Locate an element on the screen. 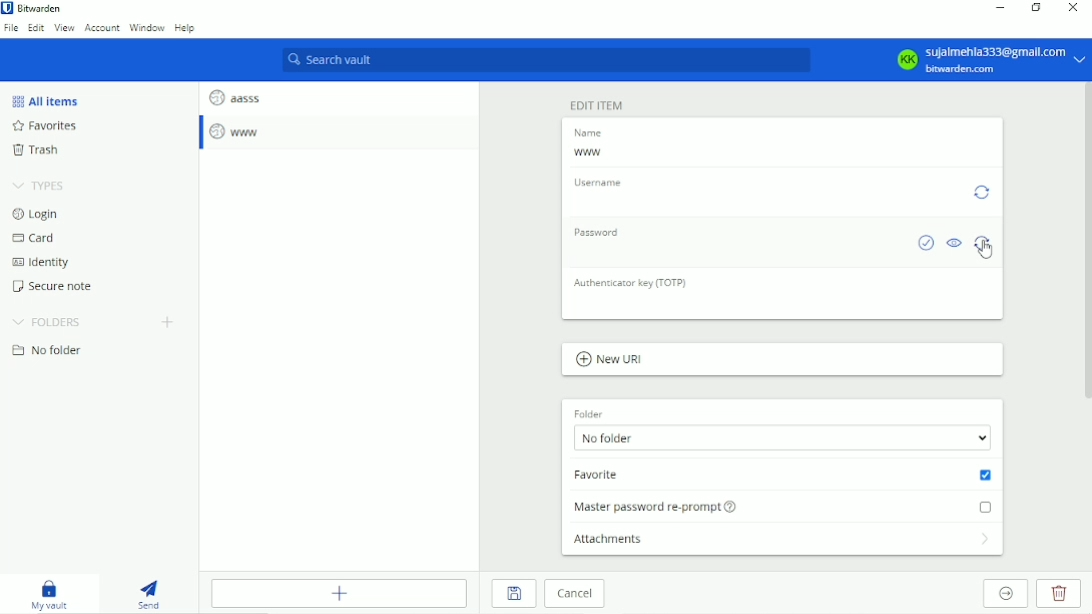 The image size is (1092, 614). No folder is located at coordinates (47, 351).